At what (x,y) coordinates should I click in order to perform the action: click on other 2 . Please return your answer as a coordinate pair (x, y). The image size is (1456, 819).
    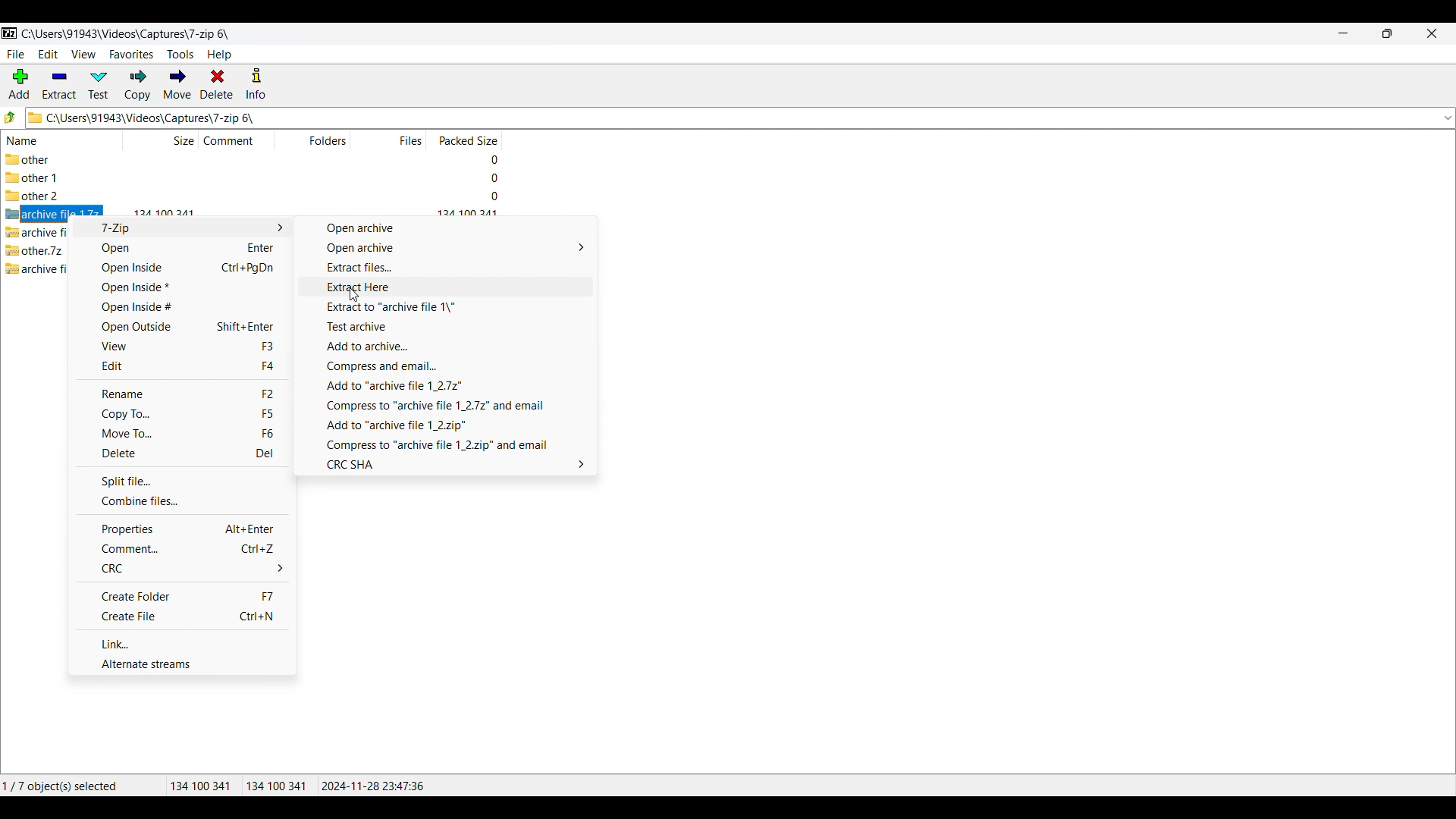
    Looking at the image, I should click on (33, 197).